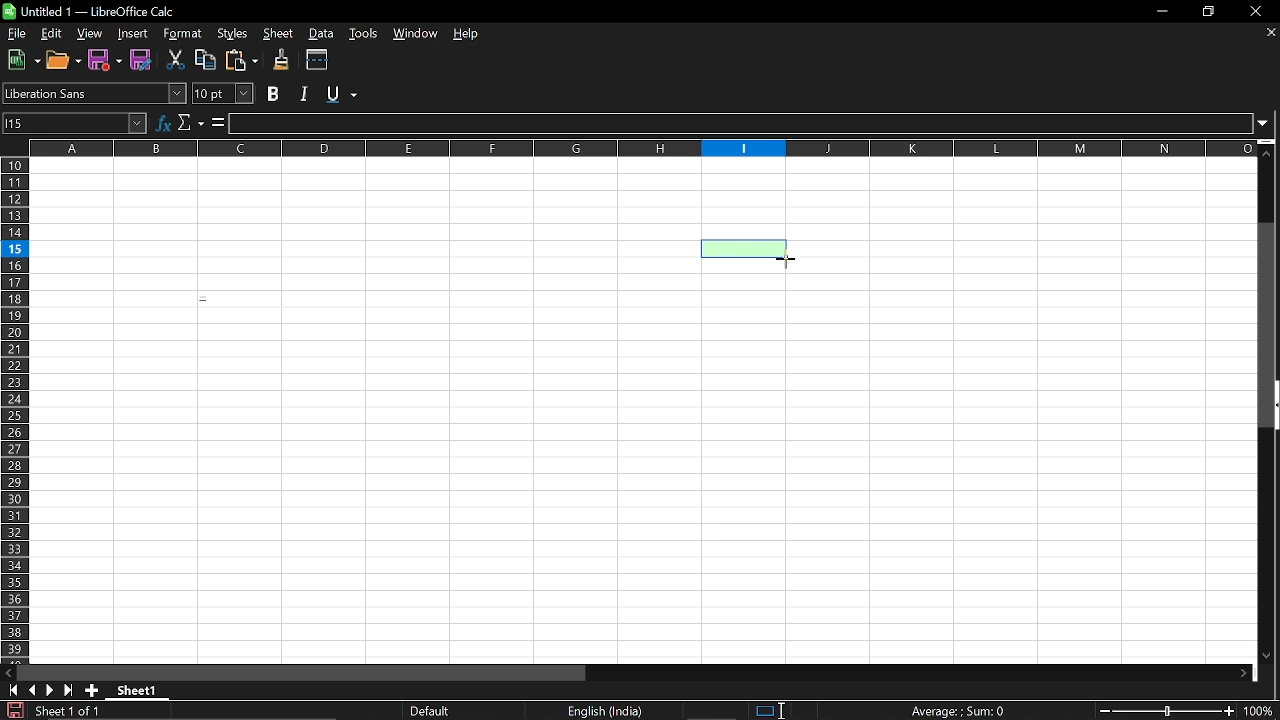  Describe the element at coordinates (70, 691) in the screenshot. I see `Last oage` at that location.